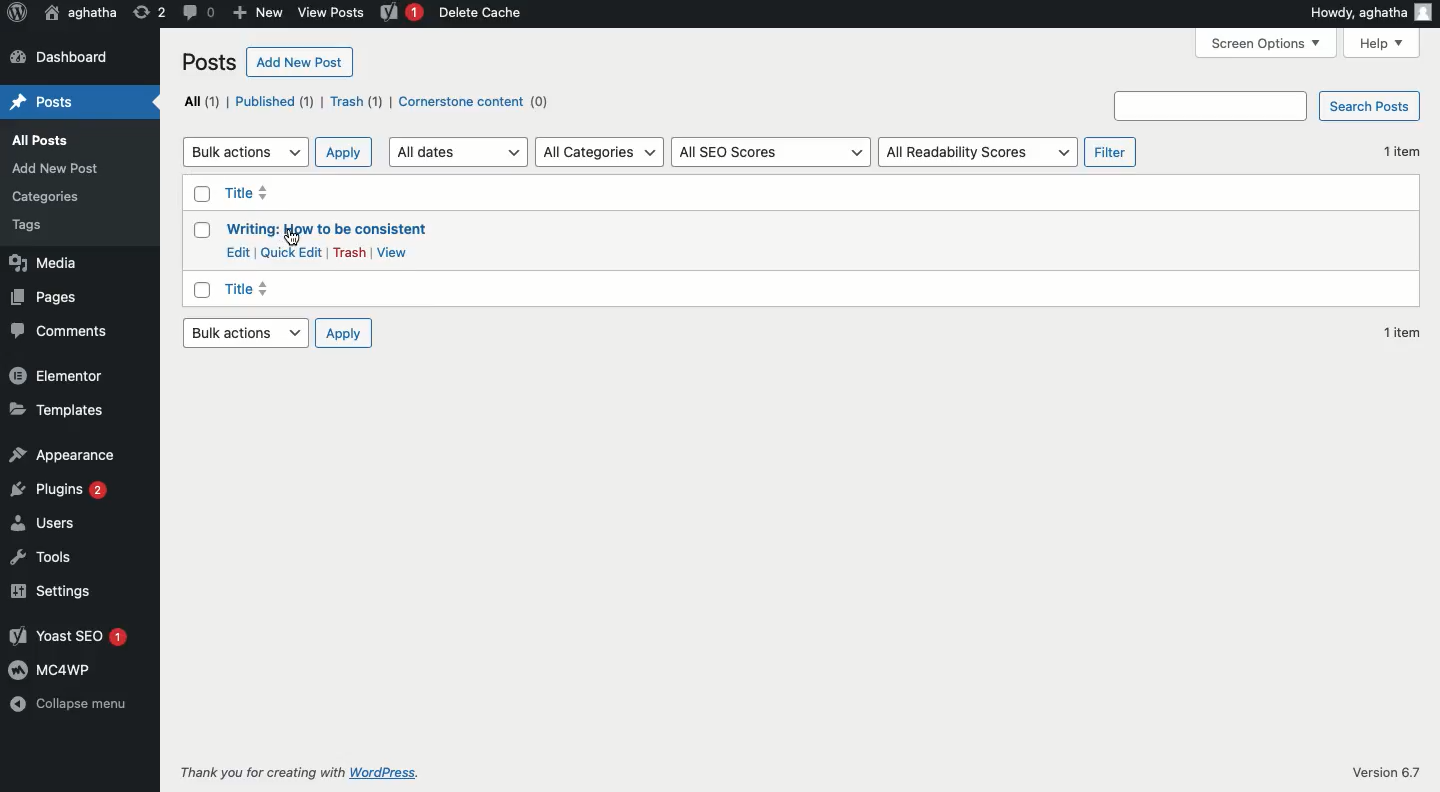  I want to click on View, so click(393, 253).